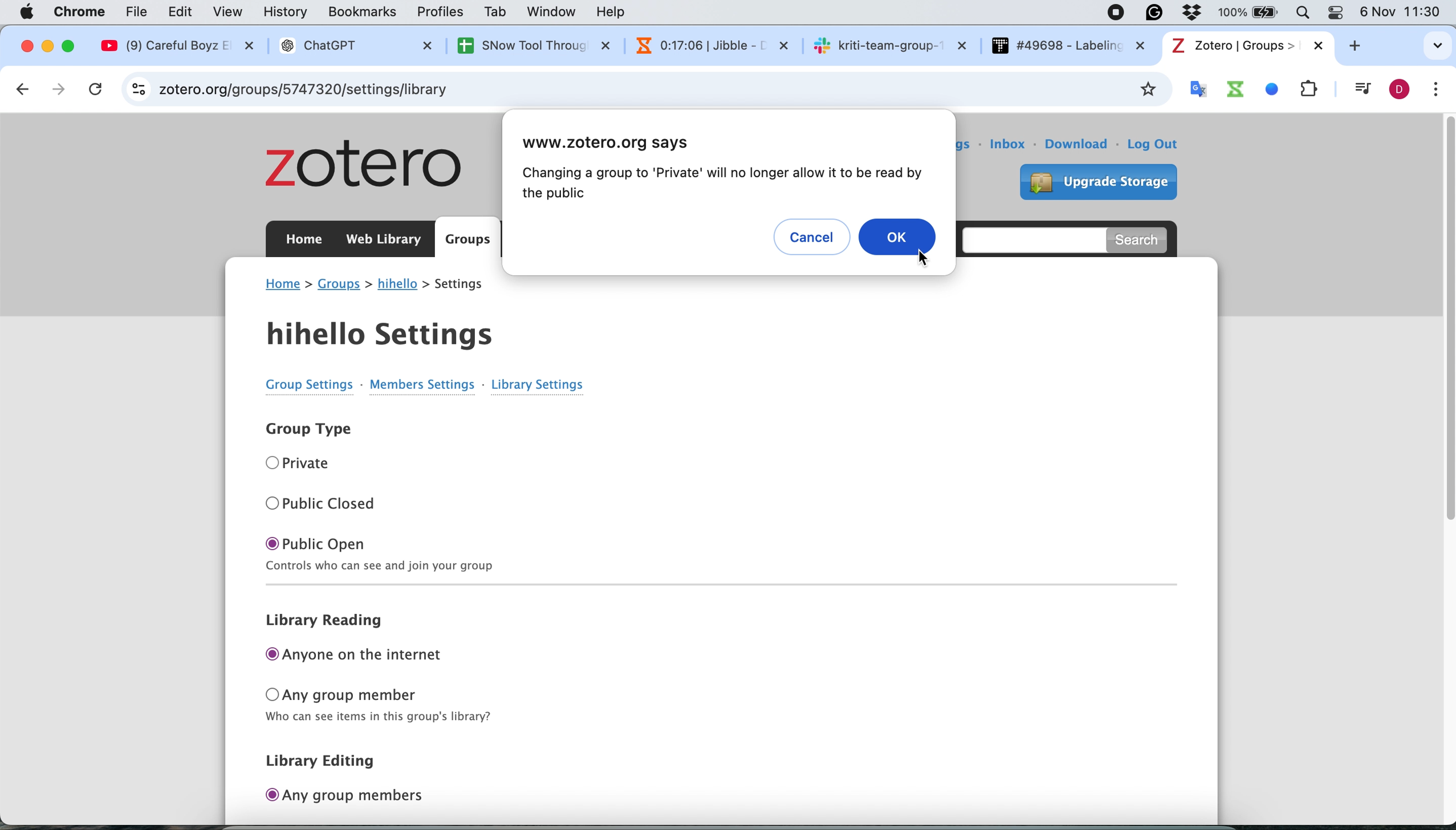  What do you see at coordinates (1419, 41) in the screenshot?
I see `search tabs` at bounding box center [1419, 41].